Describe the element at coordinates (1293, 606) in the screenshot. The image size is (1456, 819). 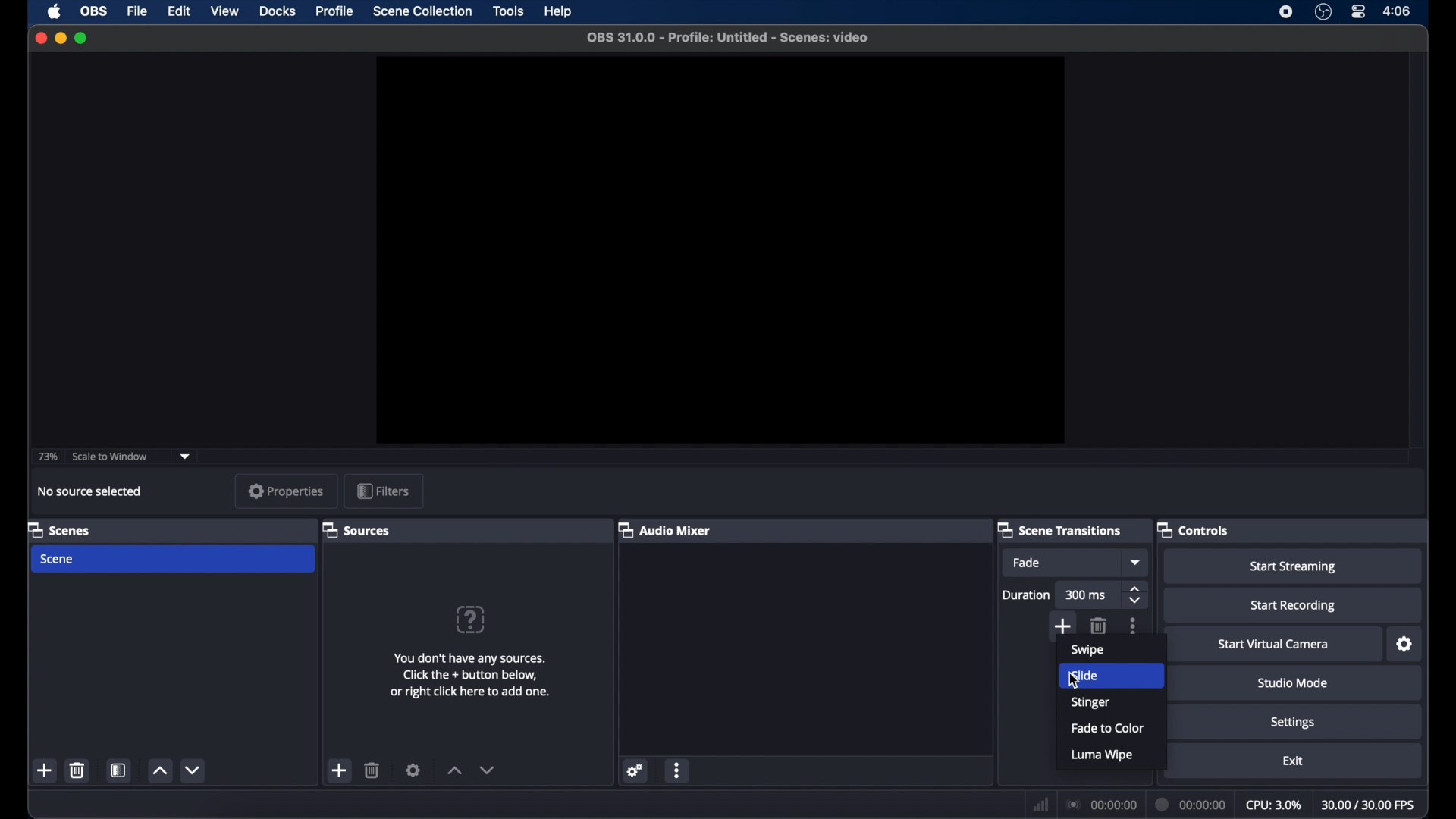
I see `start recording` at that location.